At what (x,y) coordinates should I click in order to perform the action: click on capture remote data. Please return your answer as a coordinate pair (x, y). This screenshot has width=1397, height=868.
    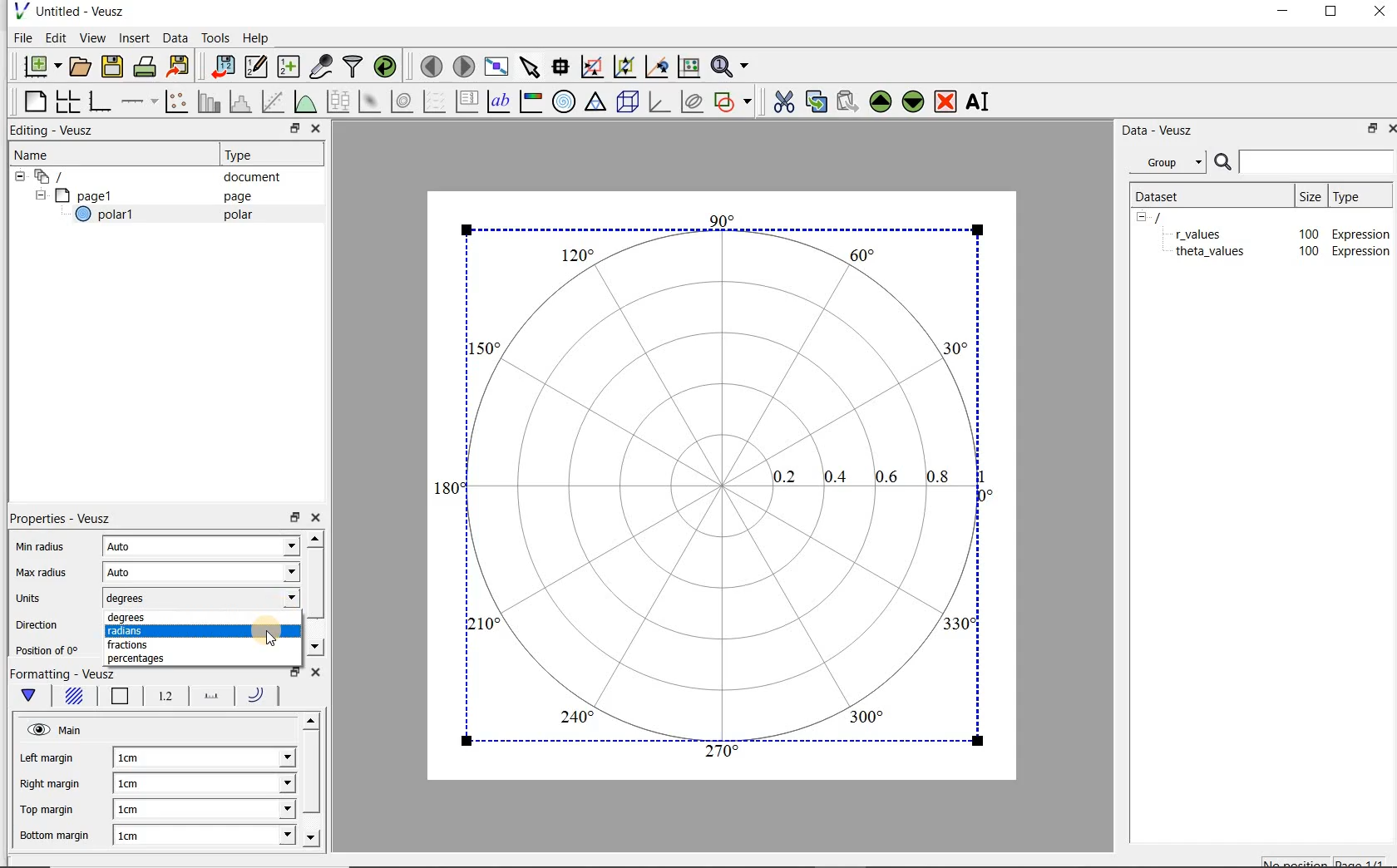
    Looking at the image, I should click on (322, 69).